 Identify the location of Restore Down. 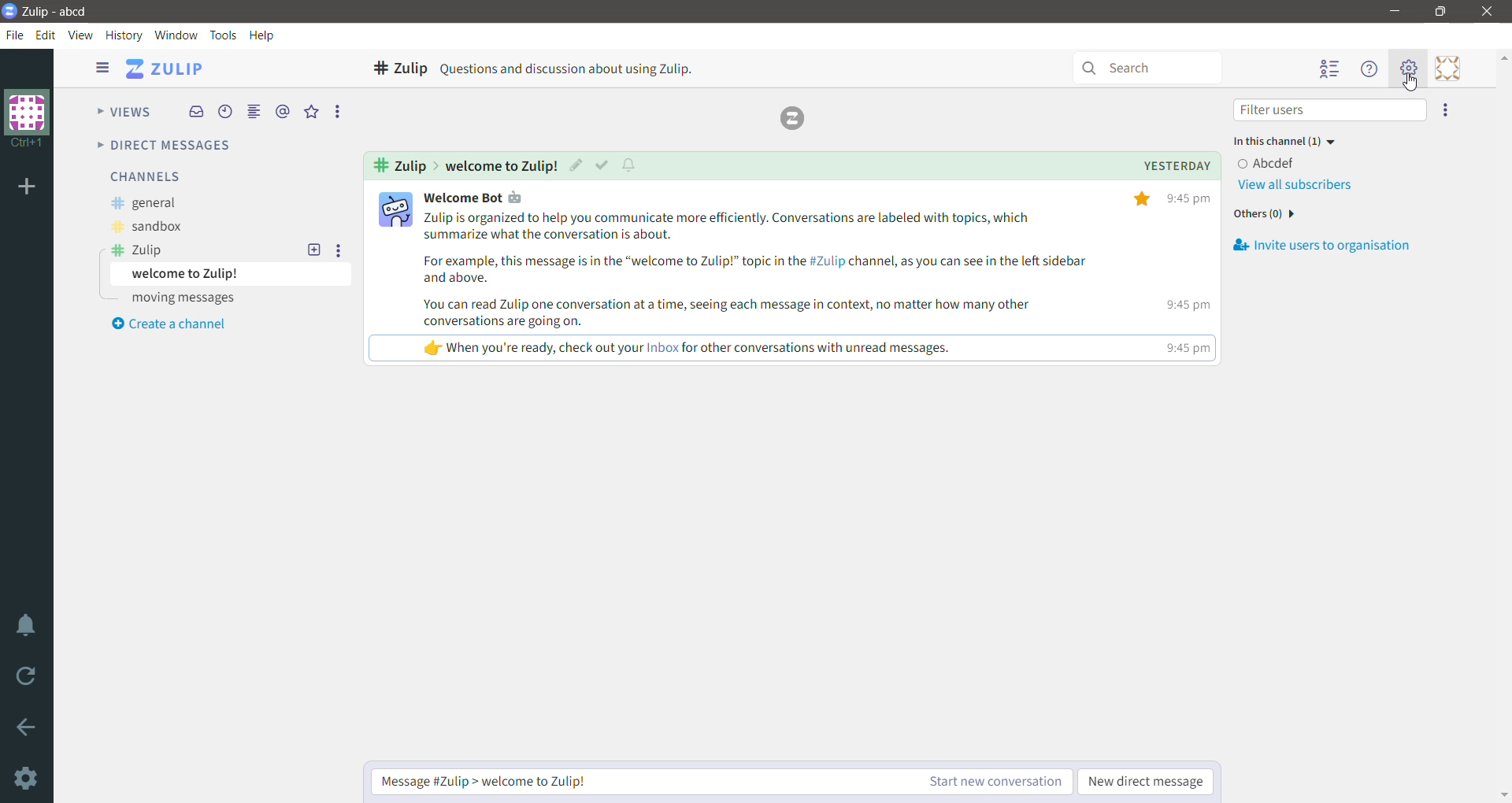
(1442, 12).